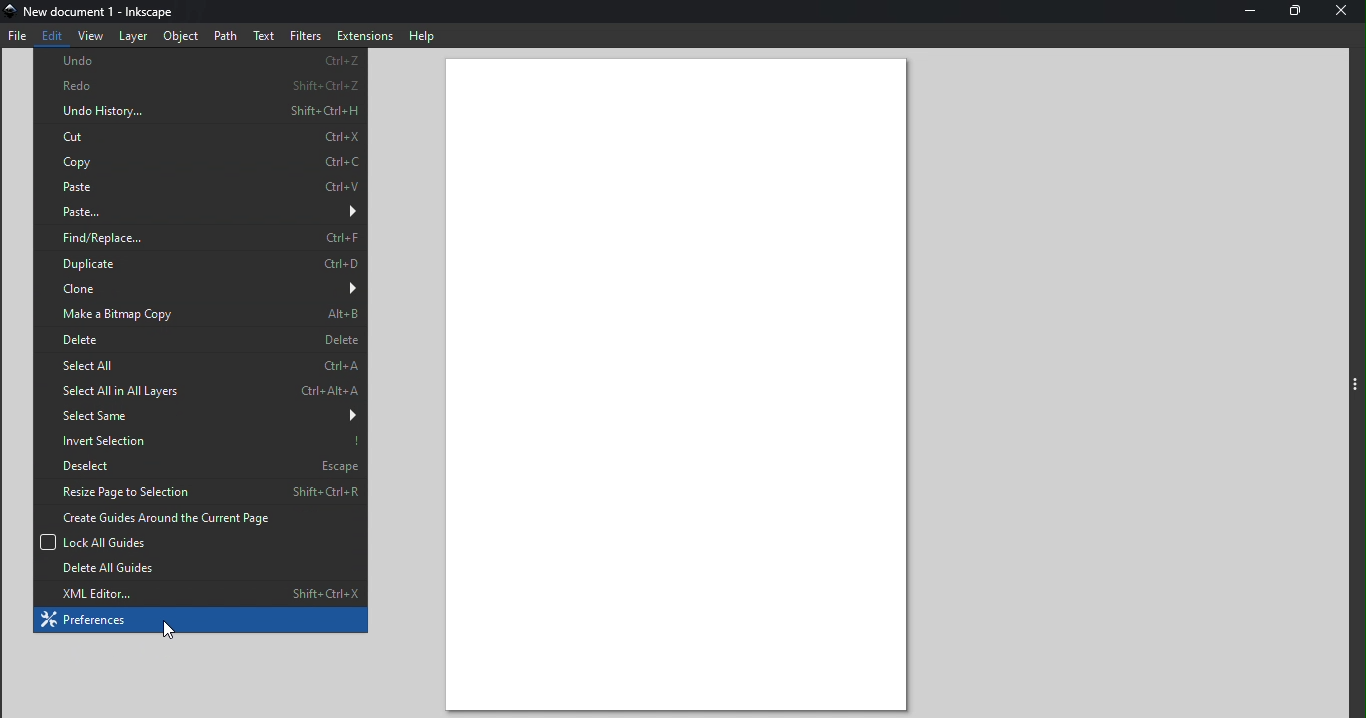  What do you see at coordinates (200, 621) in the screenshot?
I see `Preferences` at bounding box center [200, 621].